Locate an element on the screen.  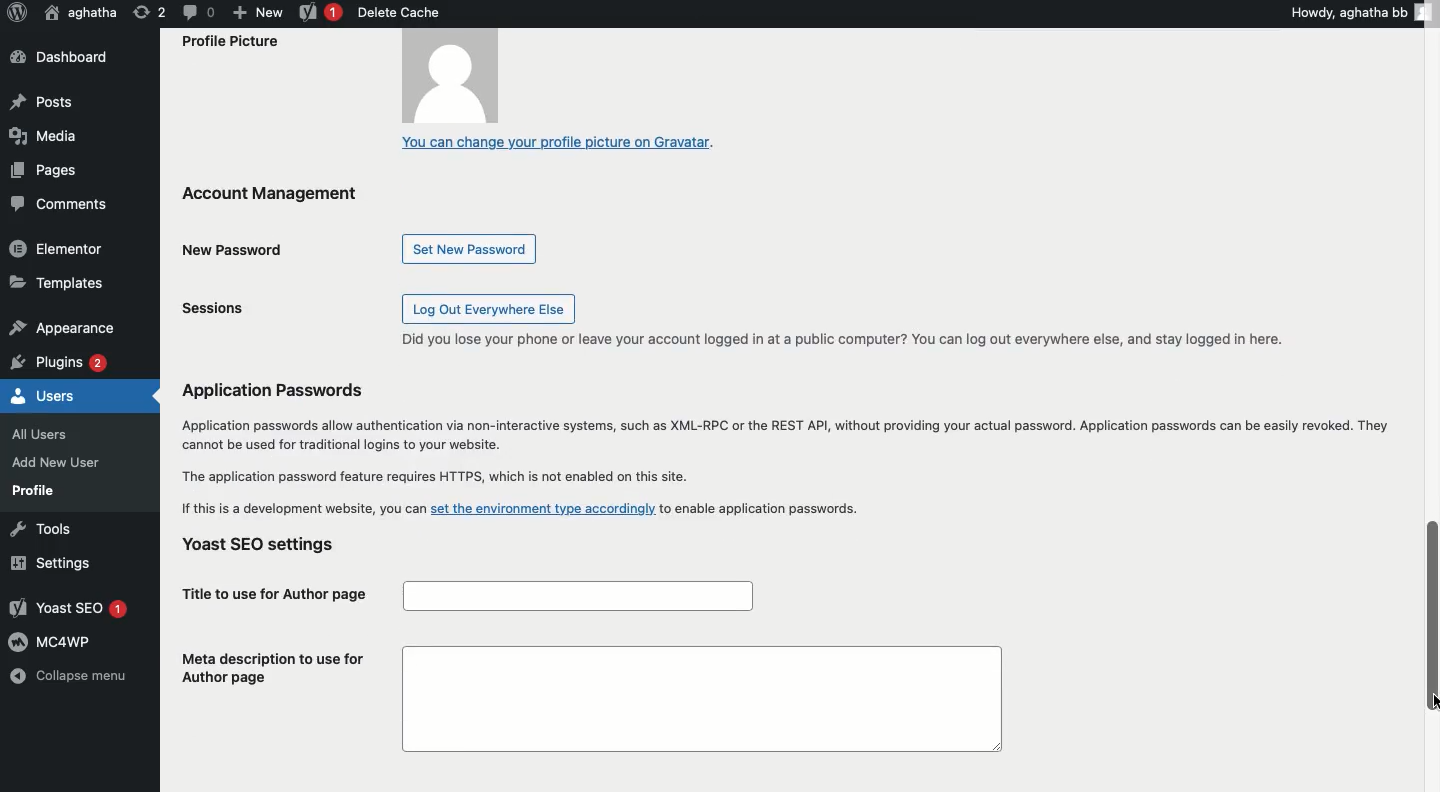
Yoast SEO 1 is located at coordinates (72, 609).